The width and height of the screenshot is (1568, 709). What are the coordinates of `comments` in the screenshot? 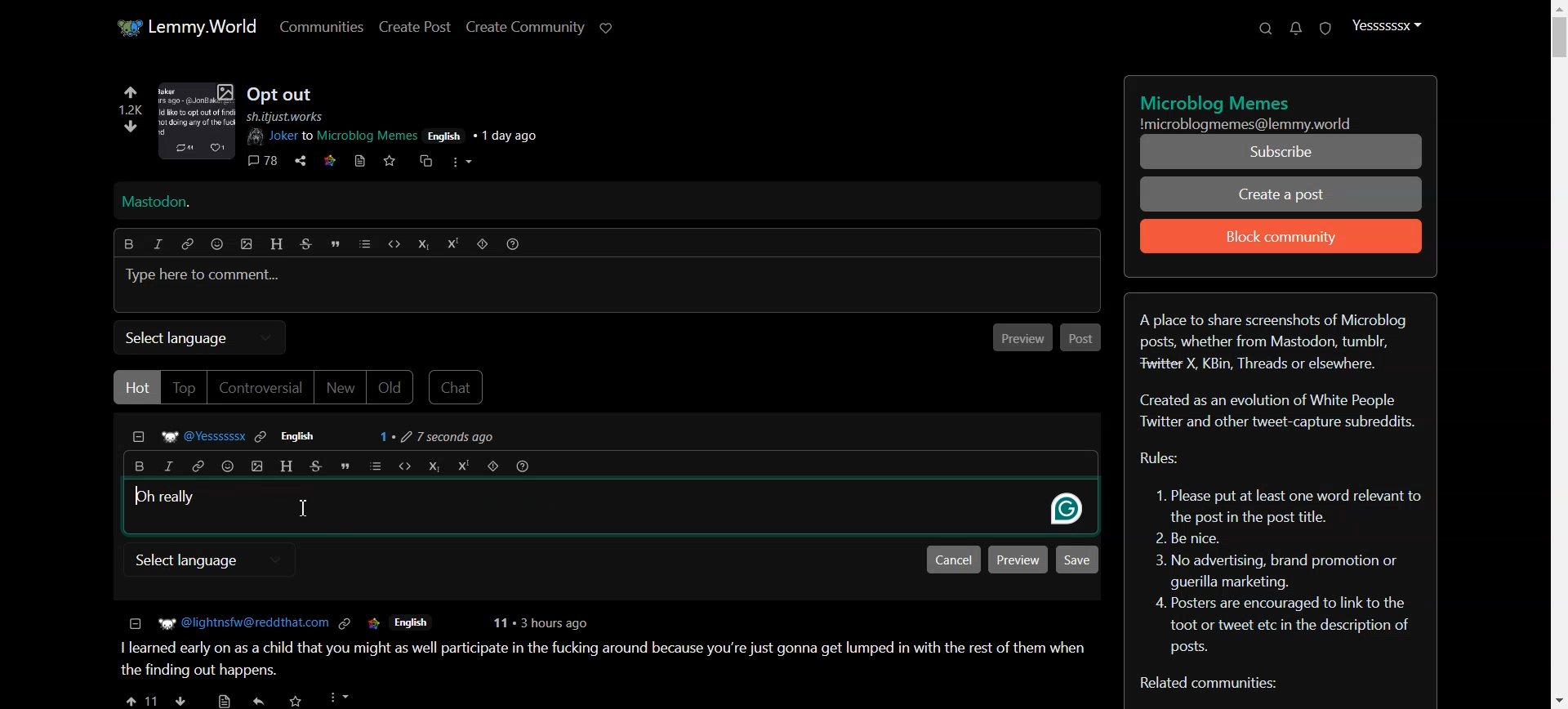 It's located at (264, 162).